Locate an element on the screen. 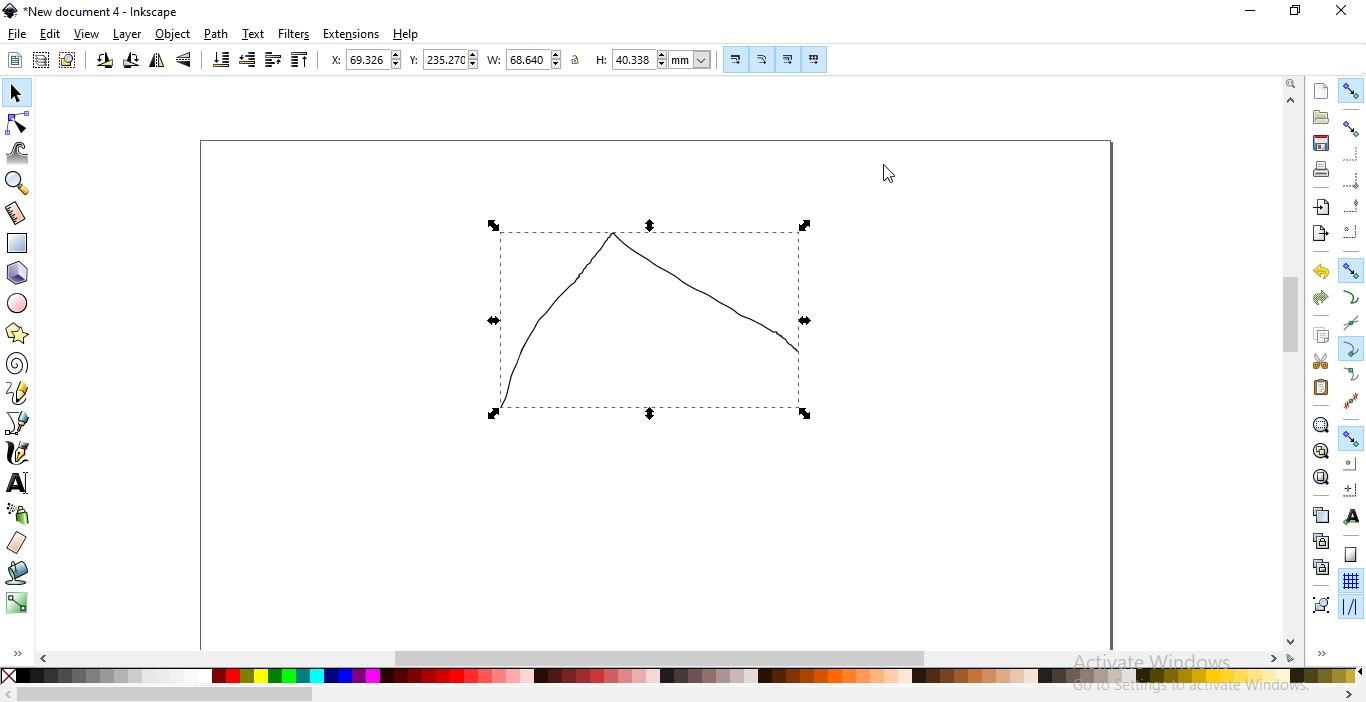 The image size is (1366, 702). snap nodes, paths and handles is located at coordinates (1349, 269).